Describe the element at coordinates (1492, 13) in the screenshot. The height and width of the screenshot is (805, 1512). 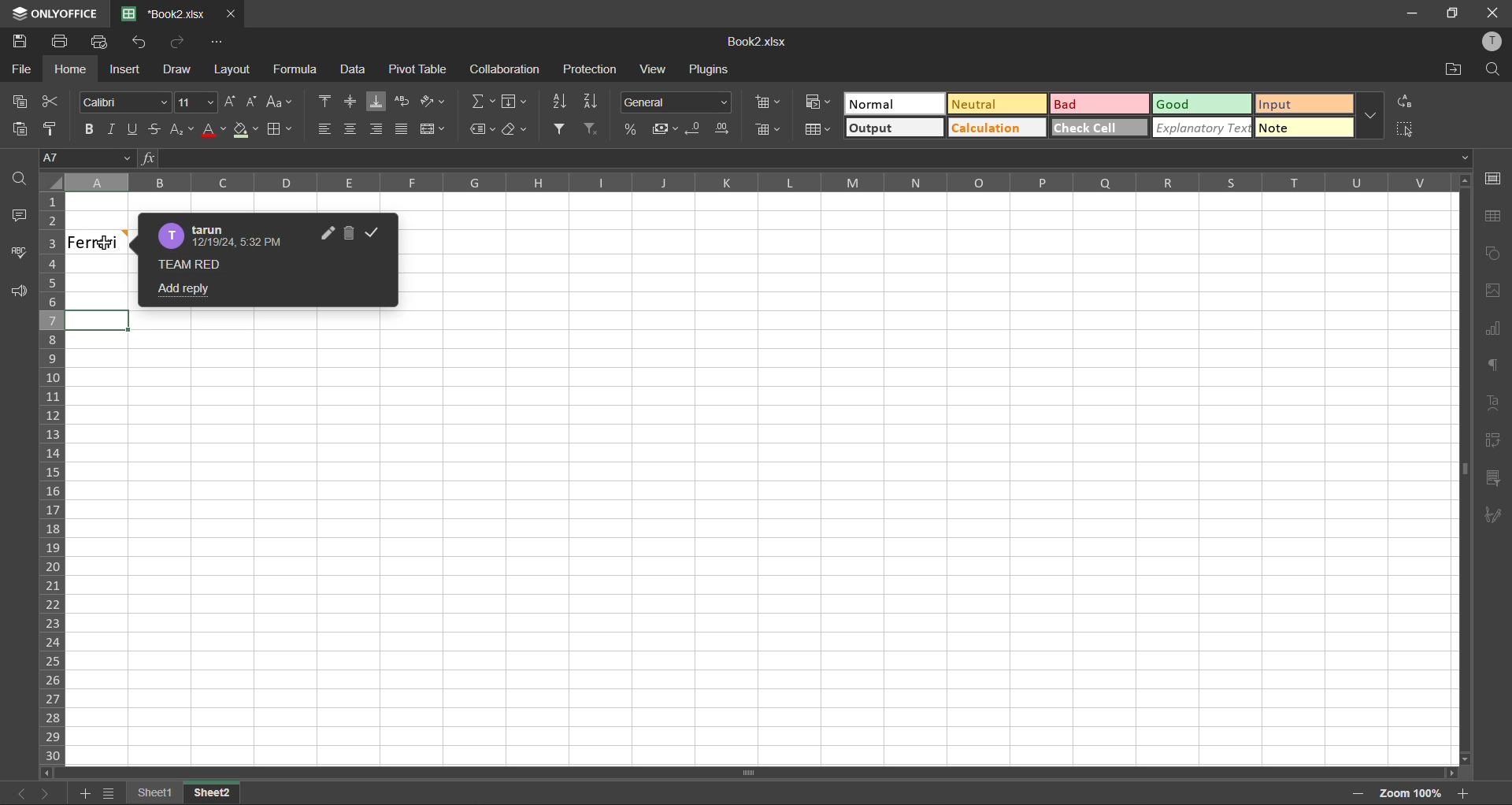
I see `close` at that location.